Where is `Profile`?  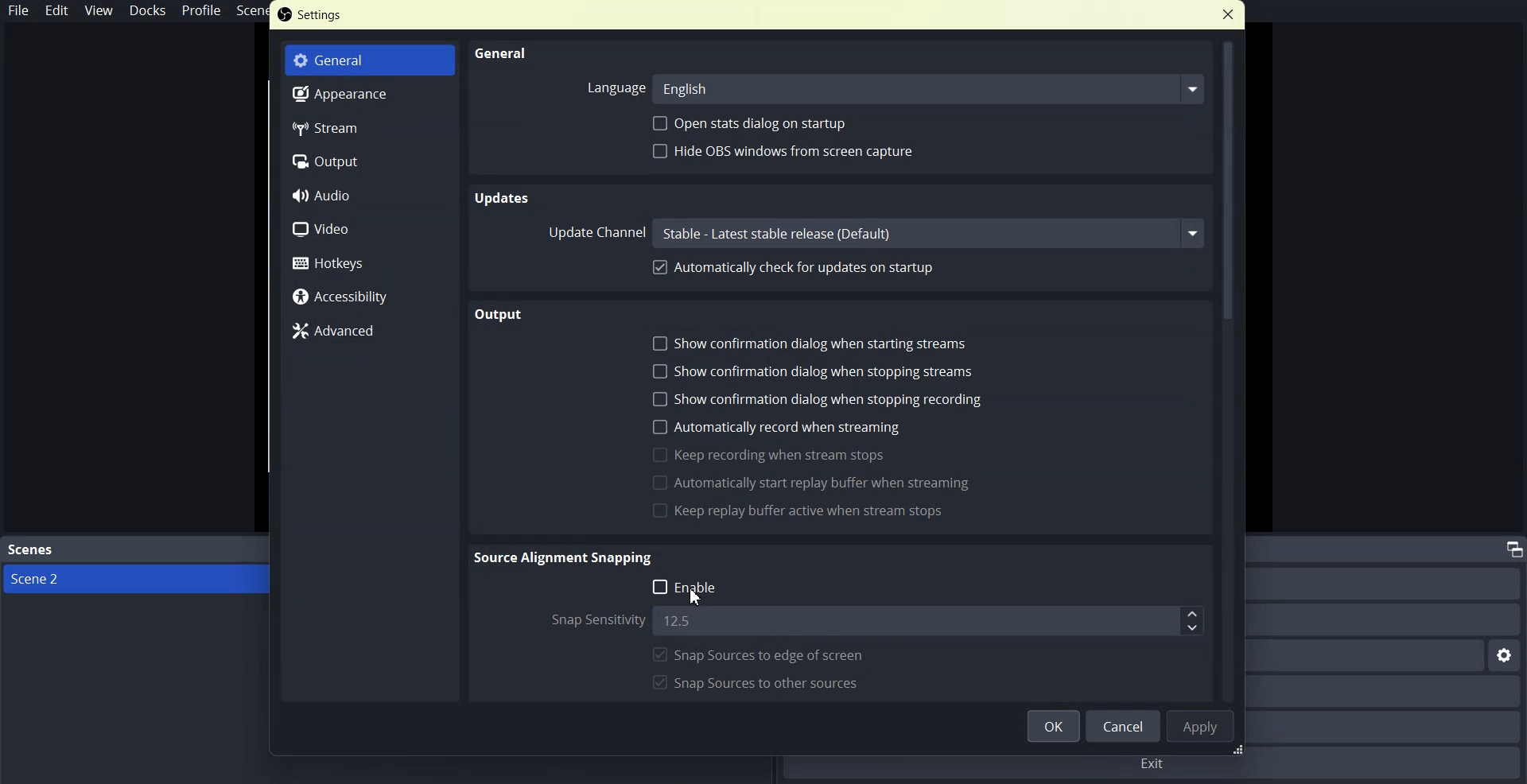 Profile is located at coordinates (201, 11).